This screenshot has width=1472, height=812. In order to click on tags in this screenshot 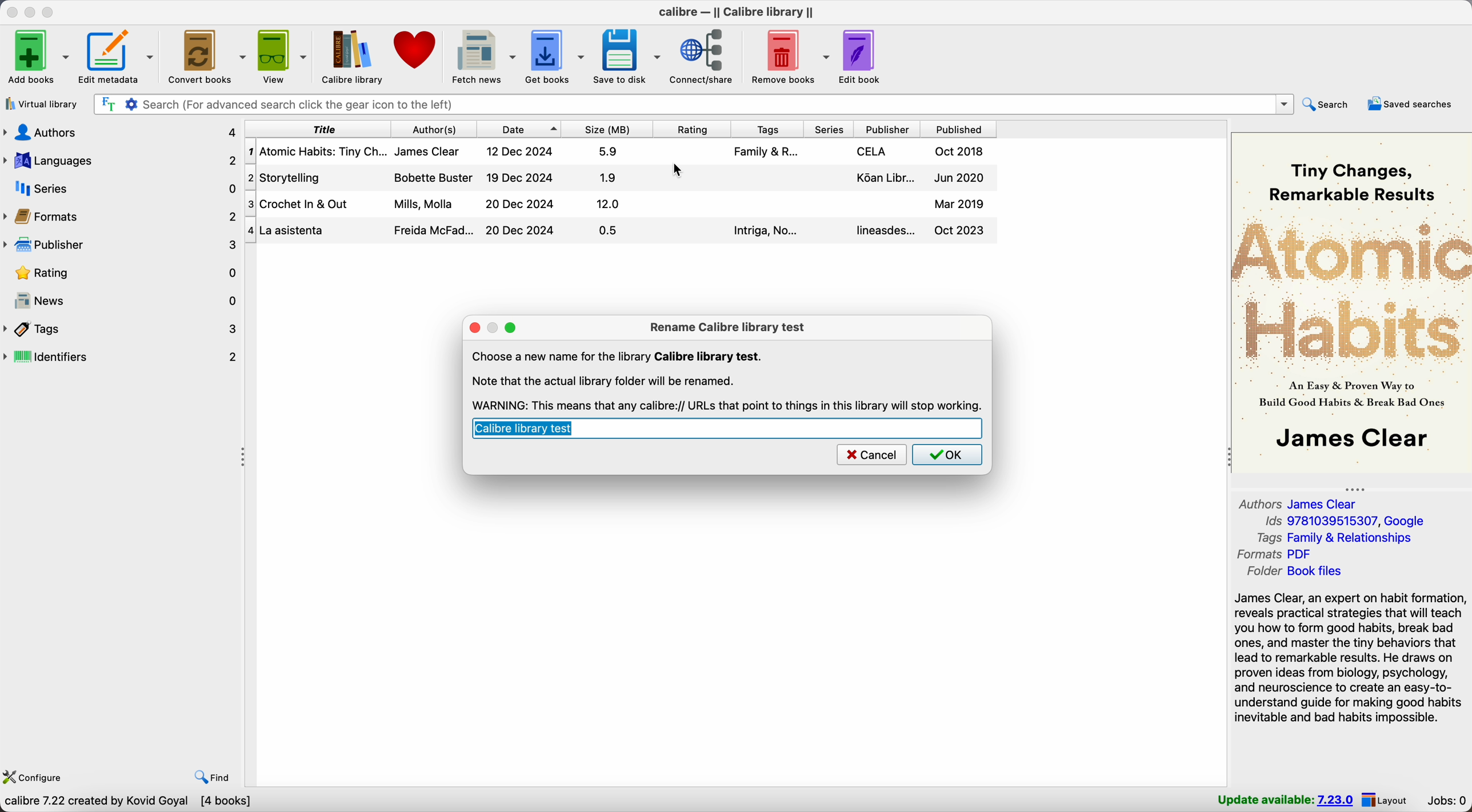, I will do `click(766, 129)`.